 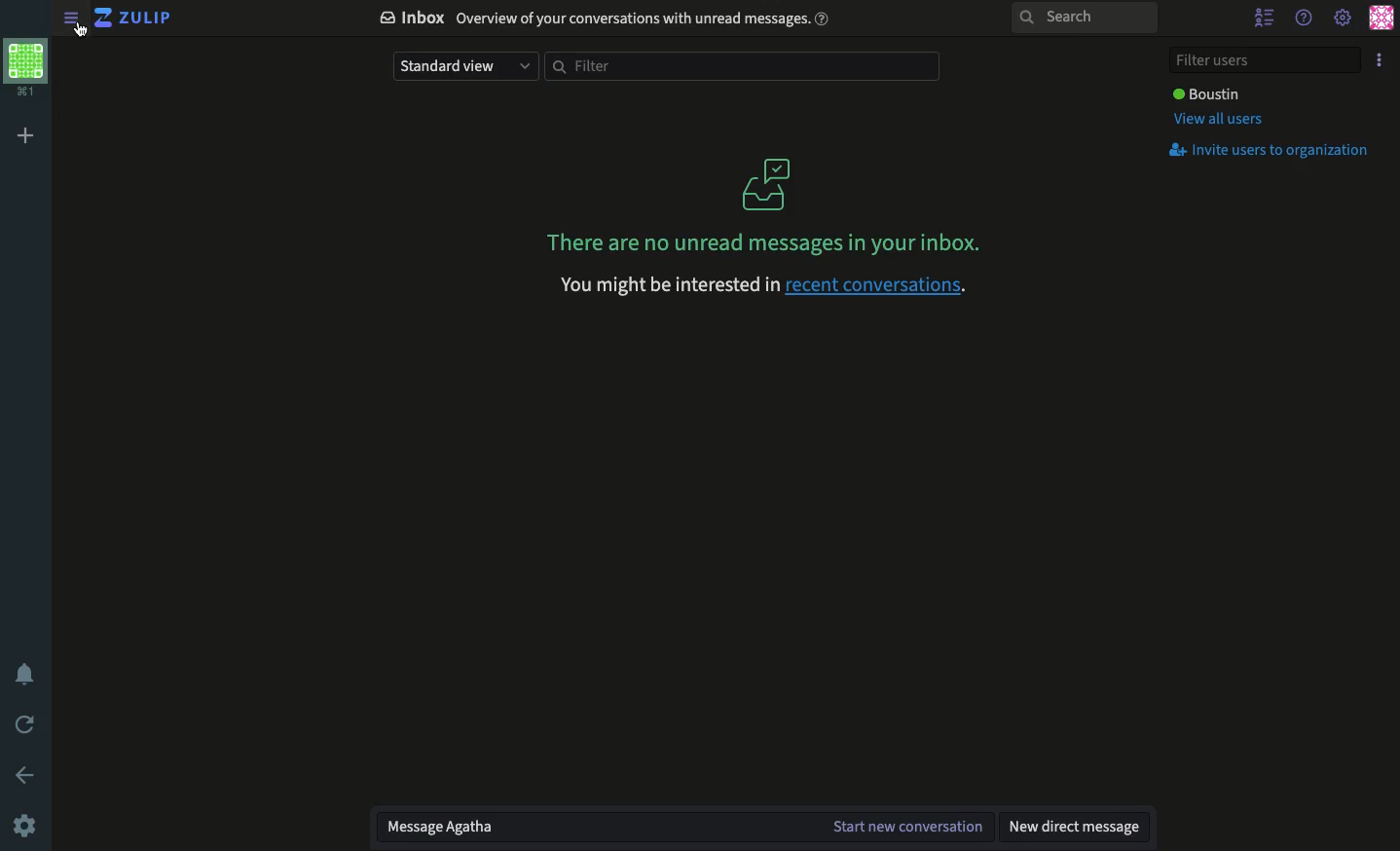 What do you see at coordinates (1381, 59) in the screenshot?
I see `Options` at bounding box center [1381, 59].